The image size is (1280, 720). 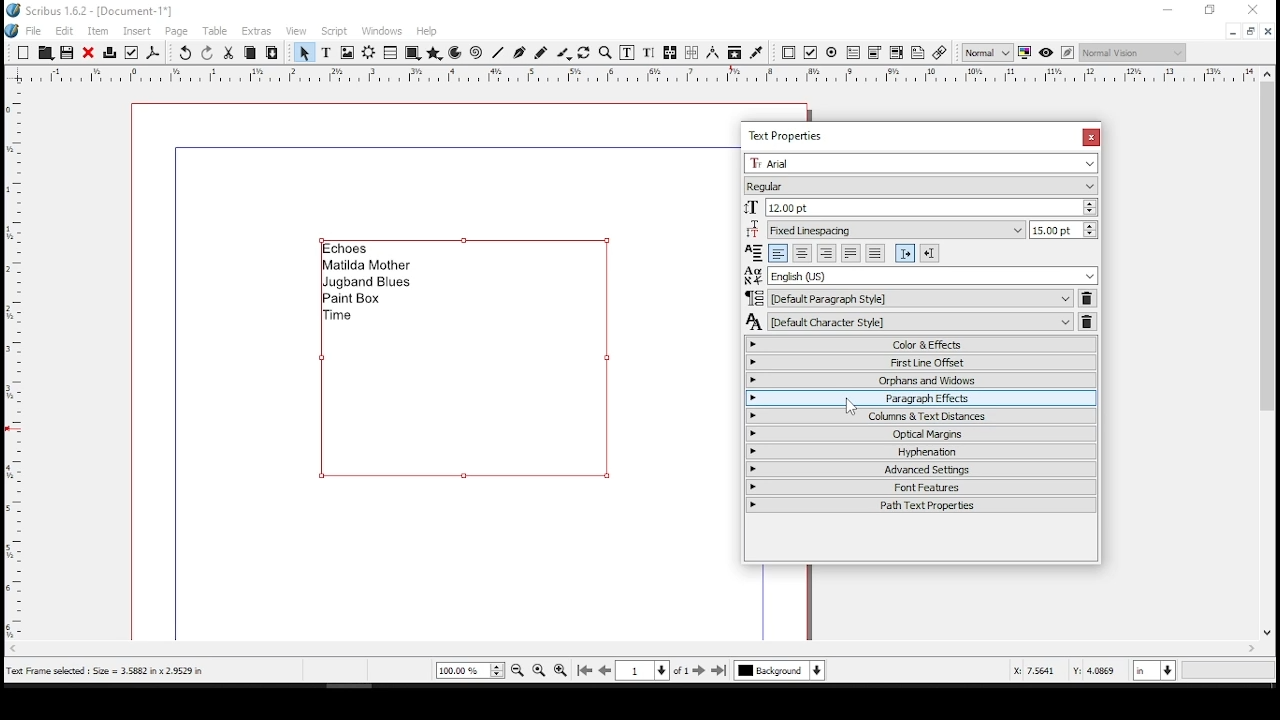 I want to click on select item, so click(x=304, y=52).